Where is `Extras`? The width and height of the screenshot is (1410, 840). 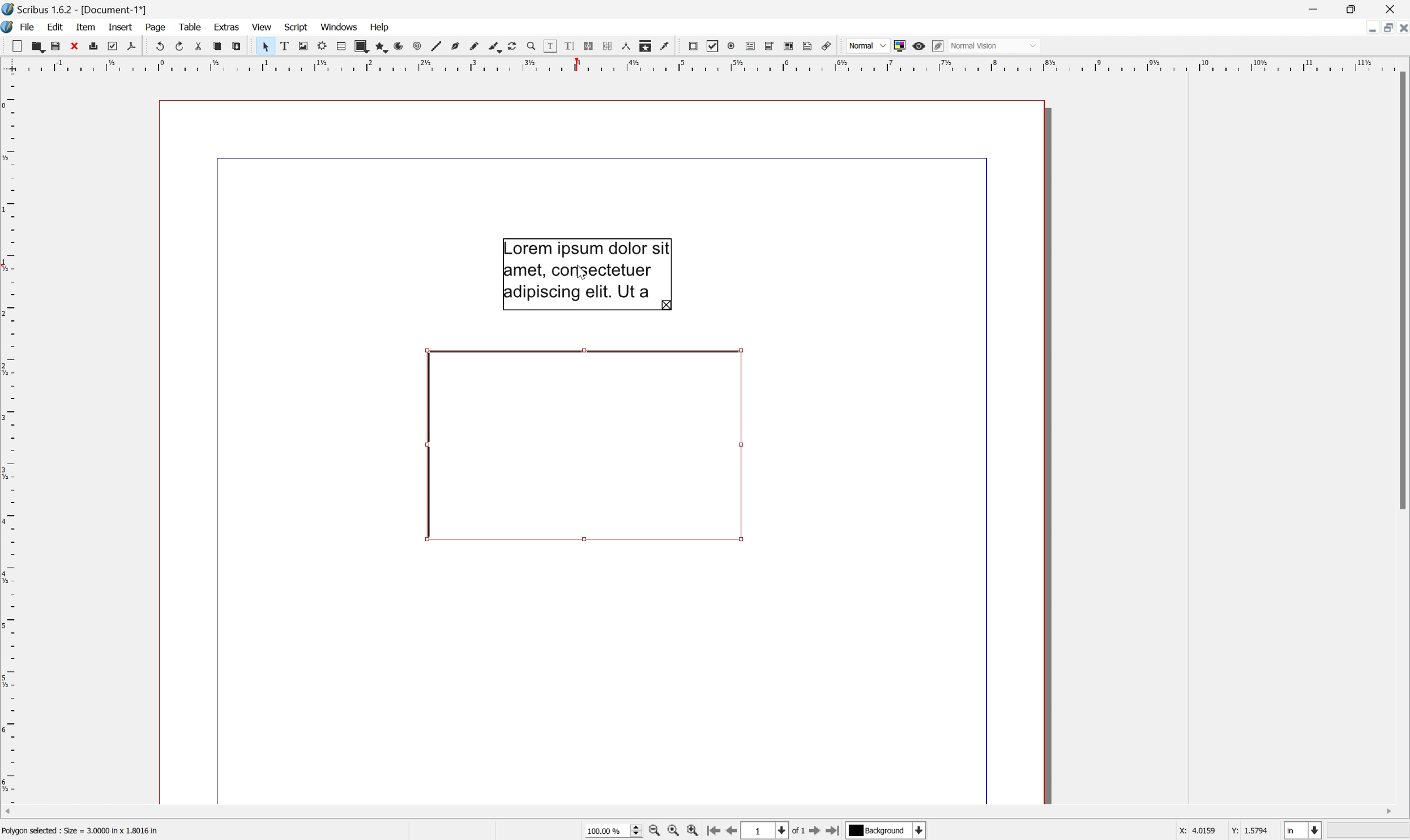
Extras is located at coordinates (227, 28).